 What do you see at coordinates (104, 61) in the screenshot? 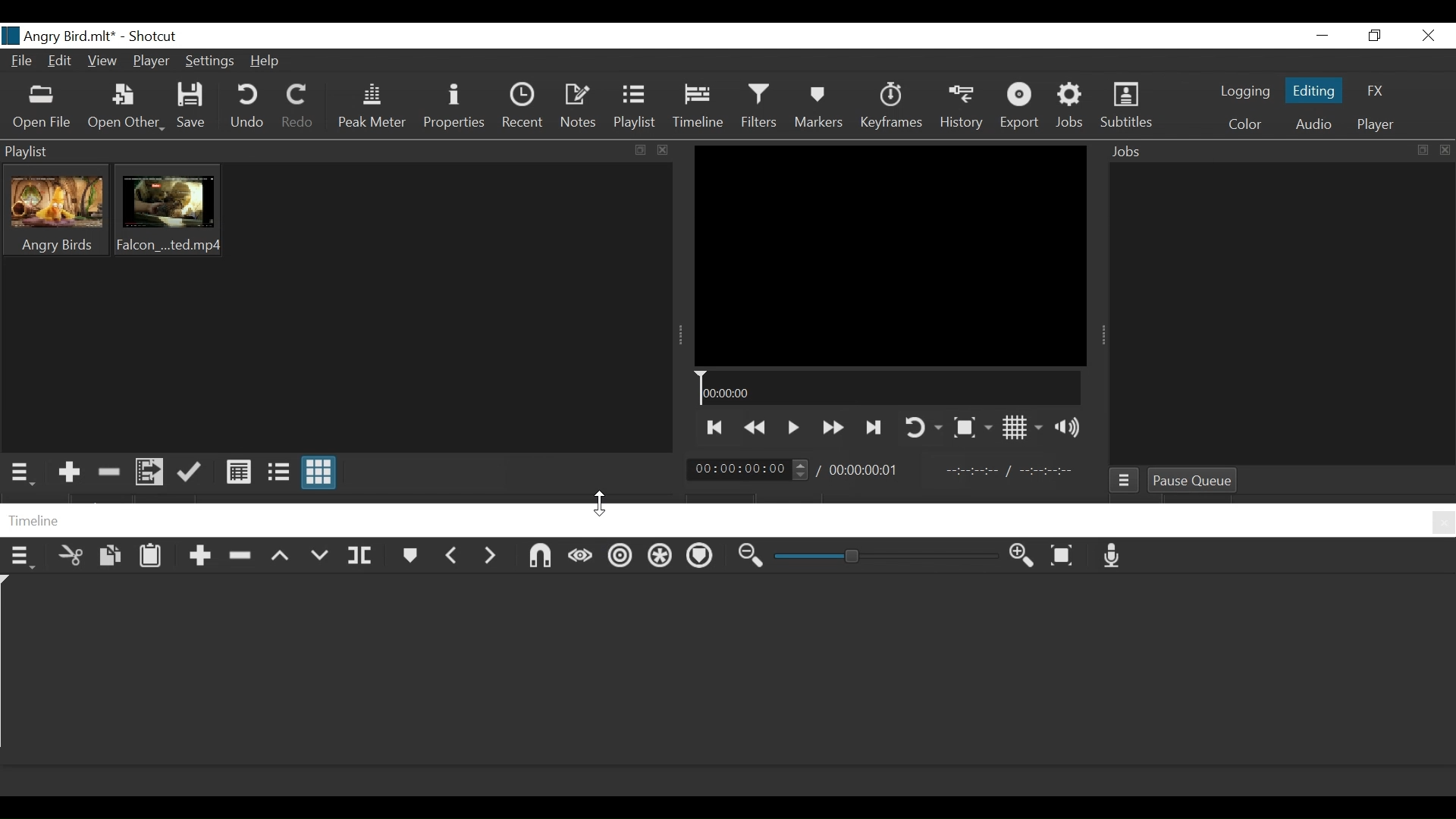
I see `View` at bounding box center [104, 61].